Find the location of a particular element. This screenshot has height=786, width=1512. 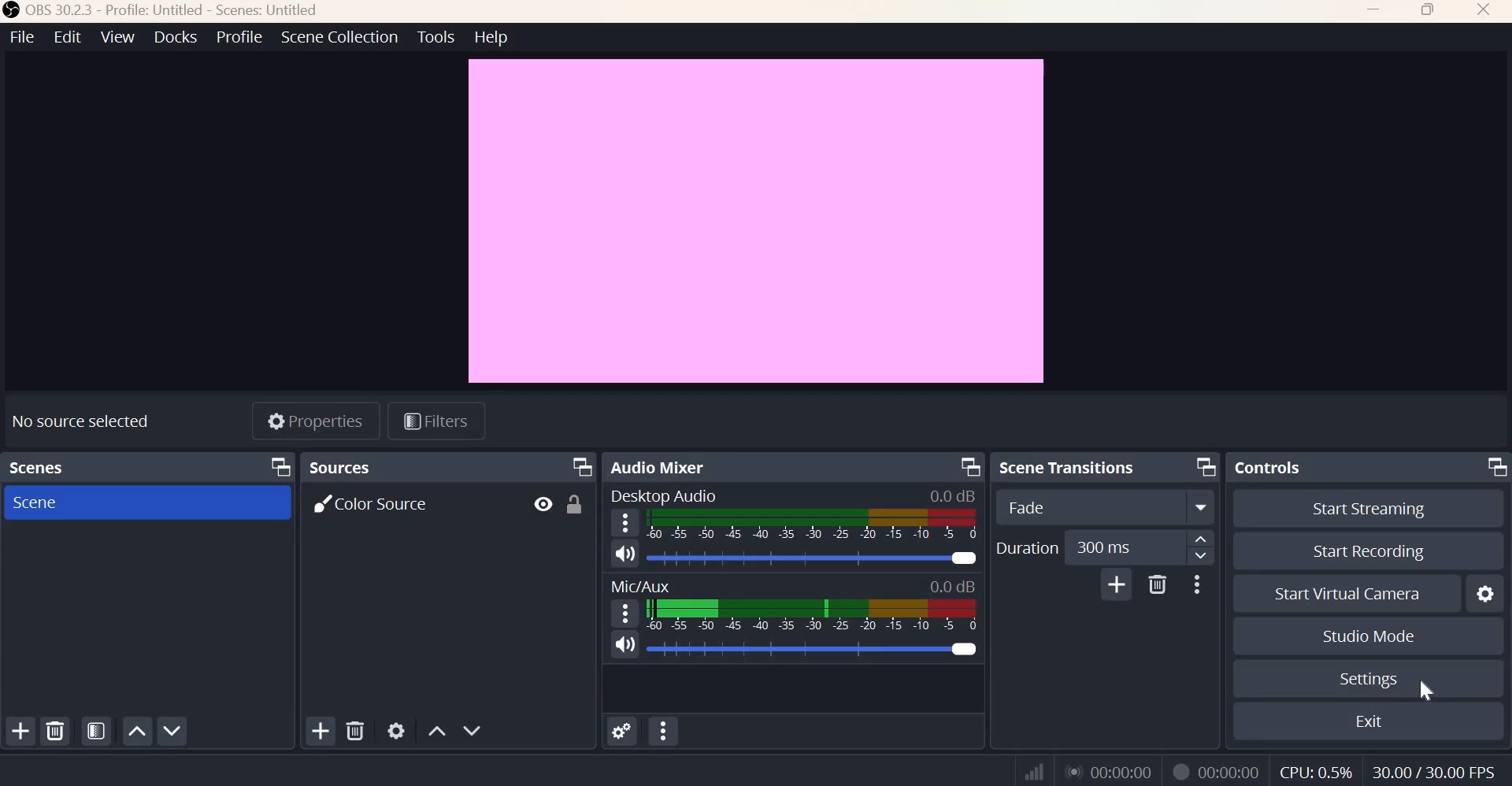

Studio mode is located at coordinates (1367, 637).